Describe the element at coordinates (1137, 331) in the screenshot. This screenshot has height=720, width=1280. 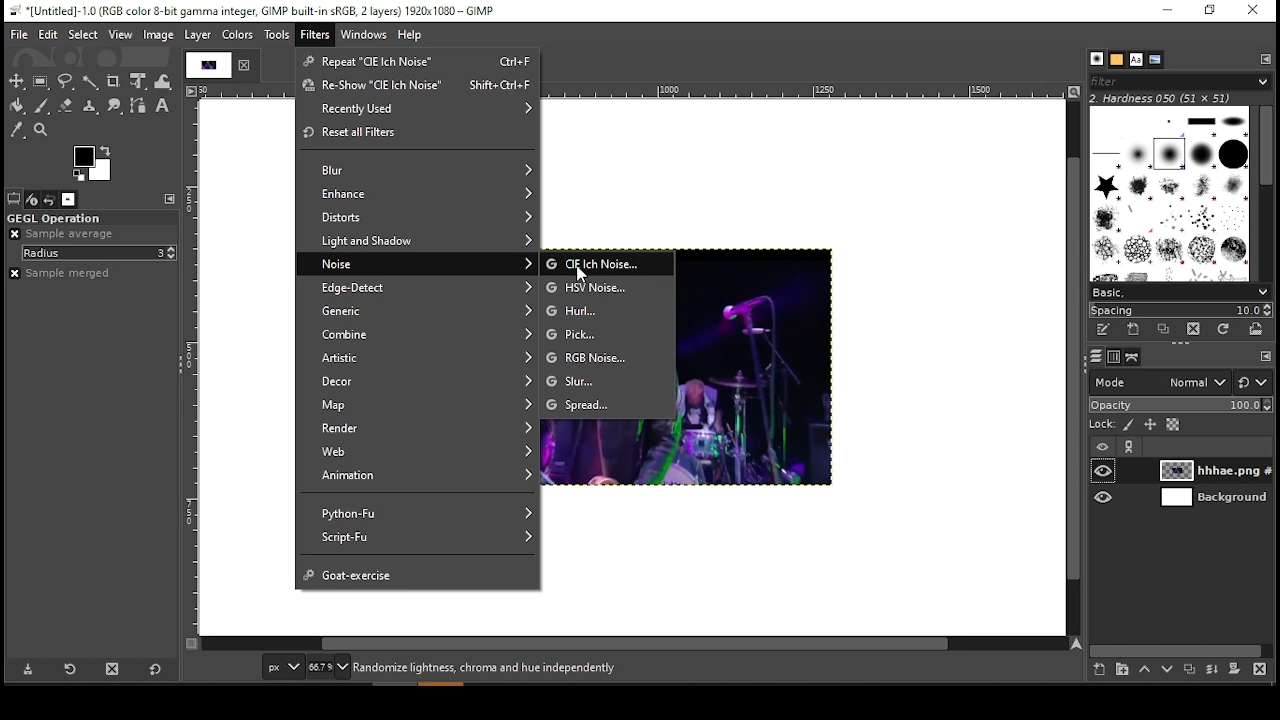
I see `create a new brush` at that location.